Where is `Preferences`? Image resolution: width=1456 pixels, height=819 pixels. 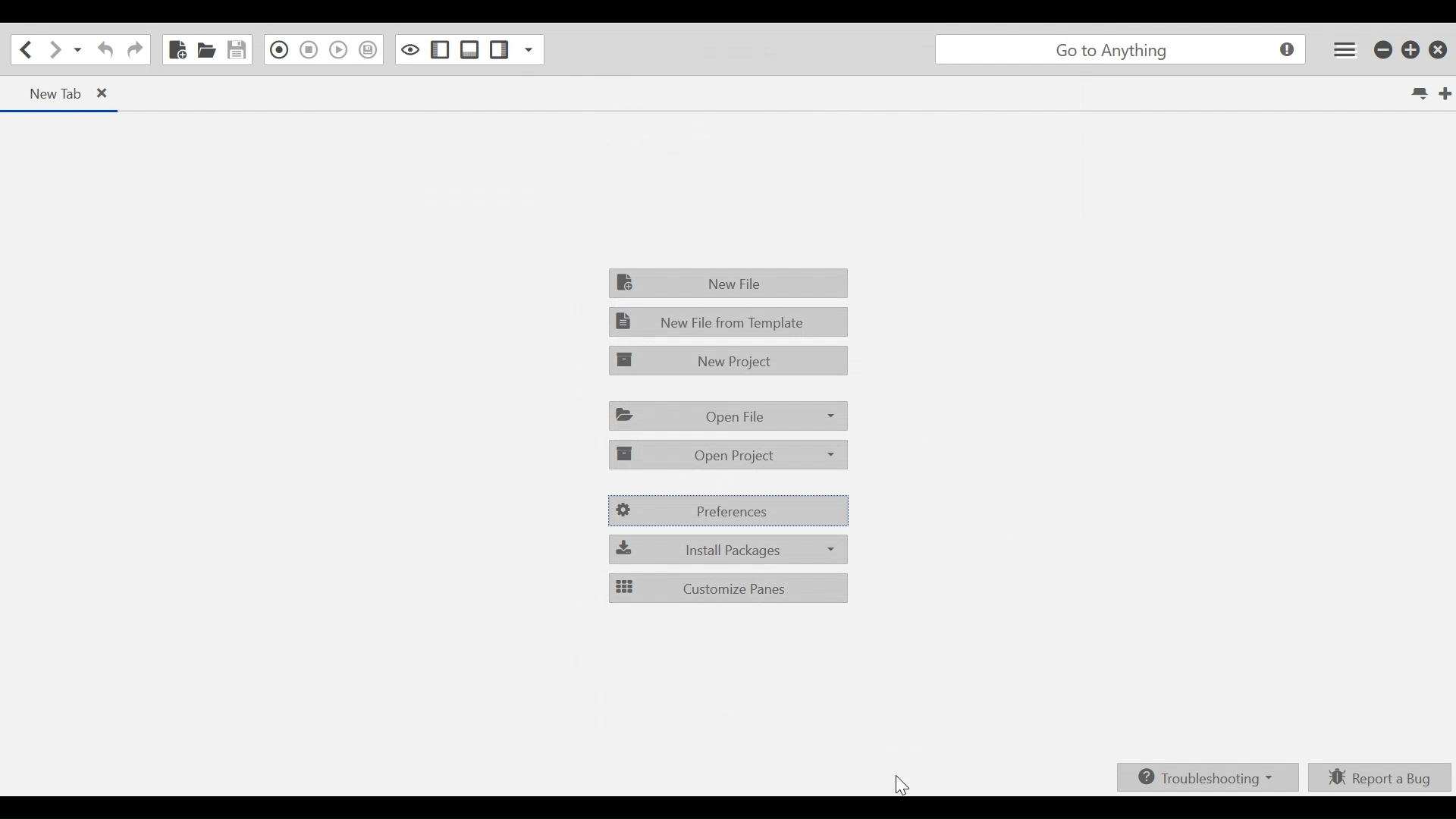 Preferences is located at coordinates (734, 510).